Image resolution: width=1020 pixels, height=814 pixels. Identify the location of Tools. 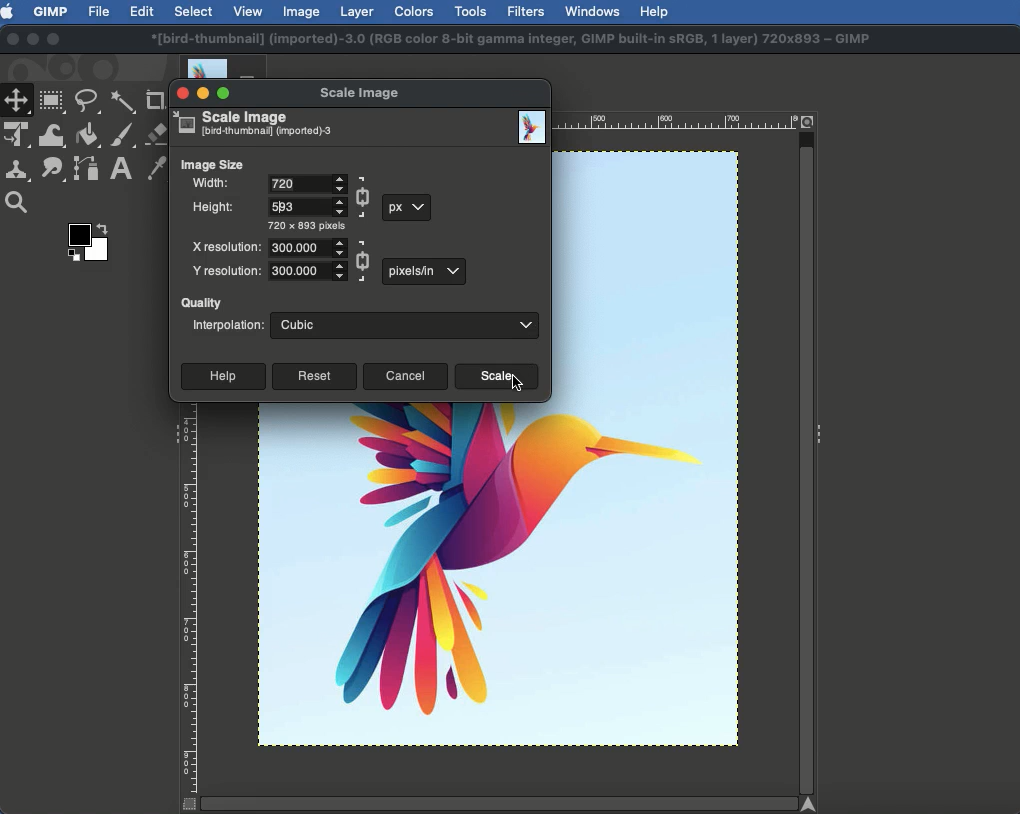
(469, 12).